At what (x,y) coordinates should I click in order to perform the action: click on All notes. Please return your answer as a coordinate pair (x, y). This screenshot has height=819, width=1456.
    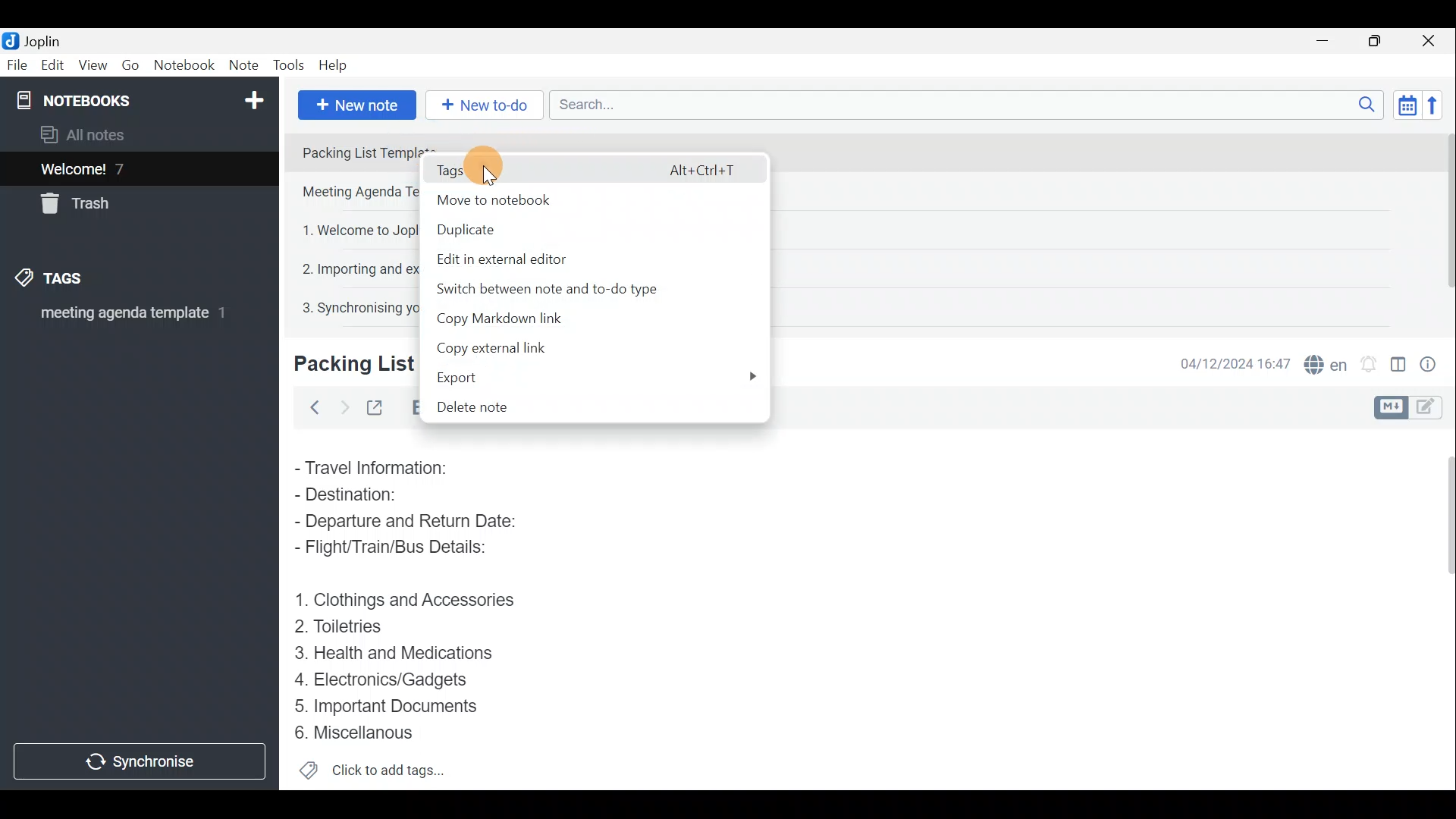
    Looking at the image, I should click on (88, 134).